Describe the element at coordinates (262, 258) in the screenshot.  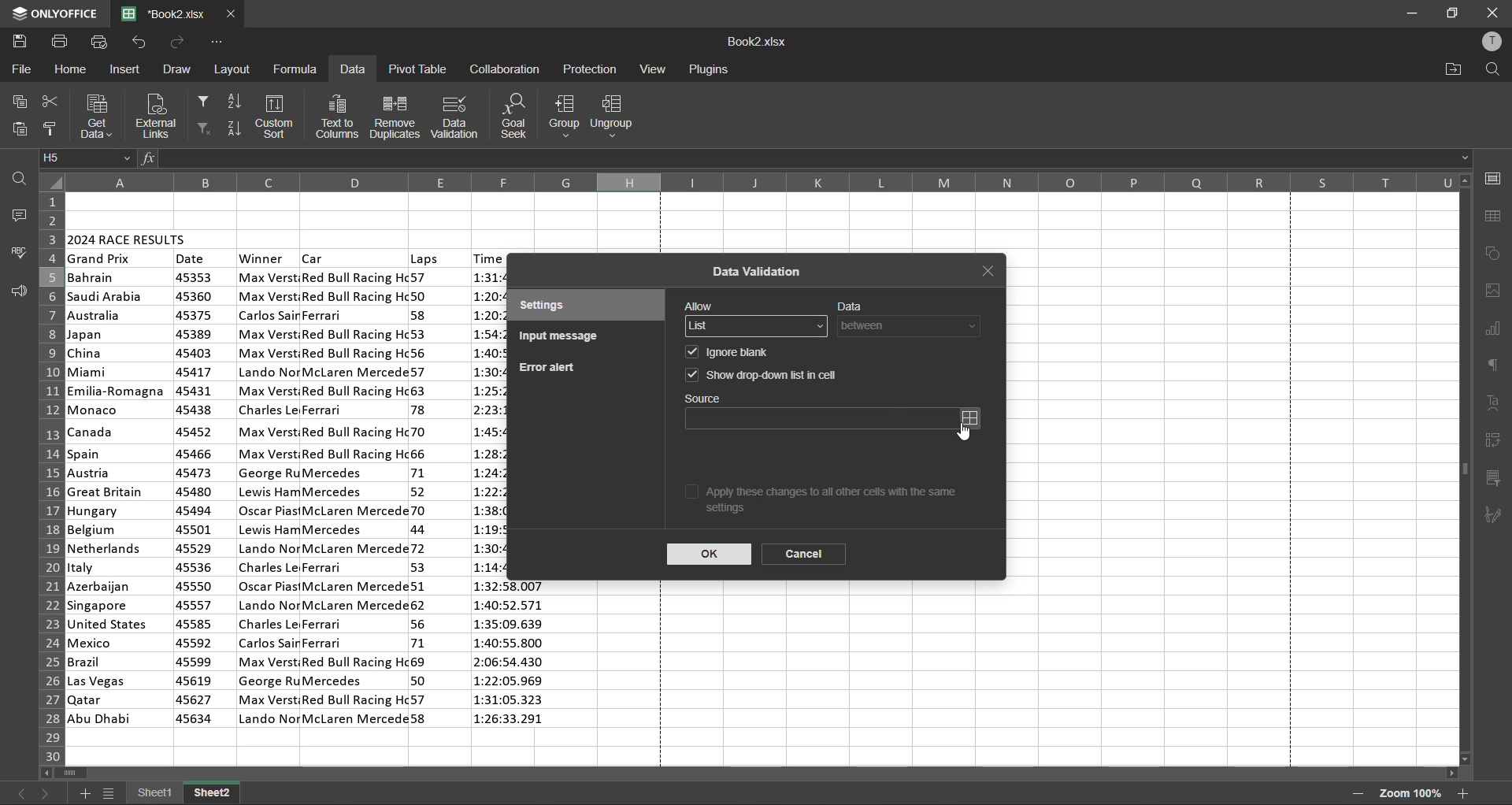
I see `winner` at that location.